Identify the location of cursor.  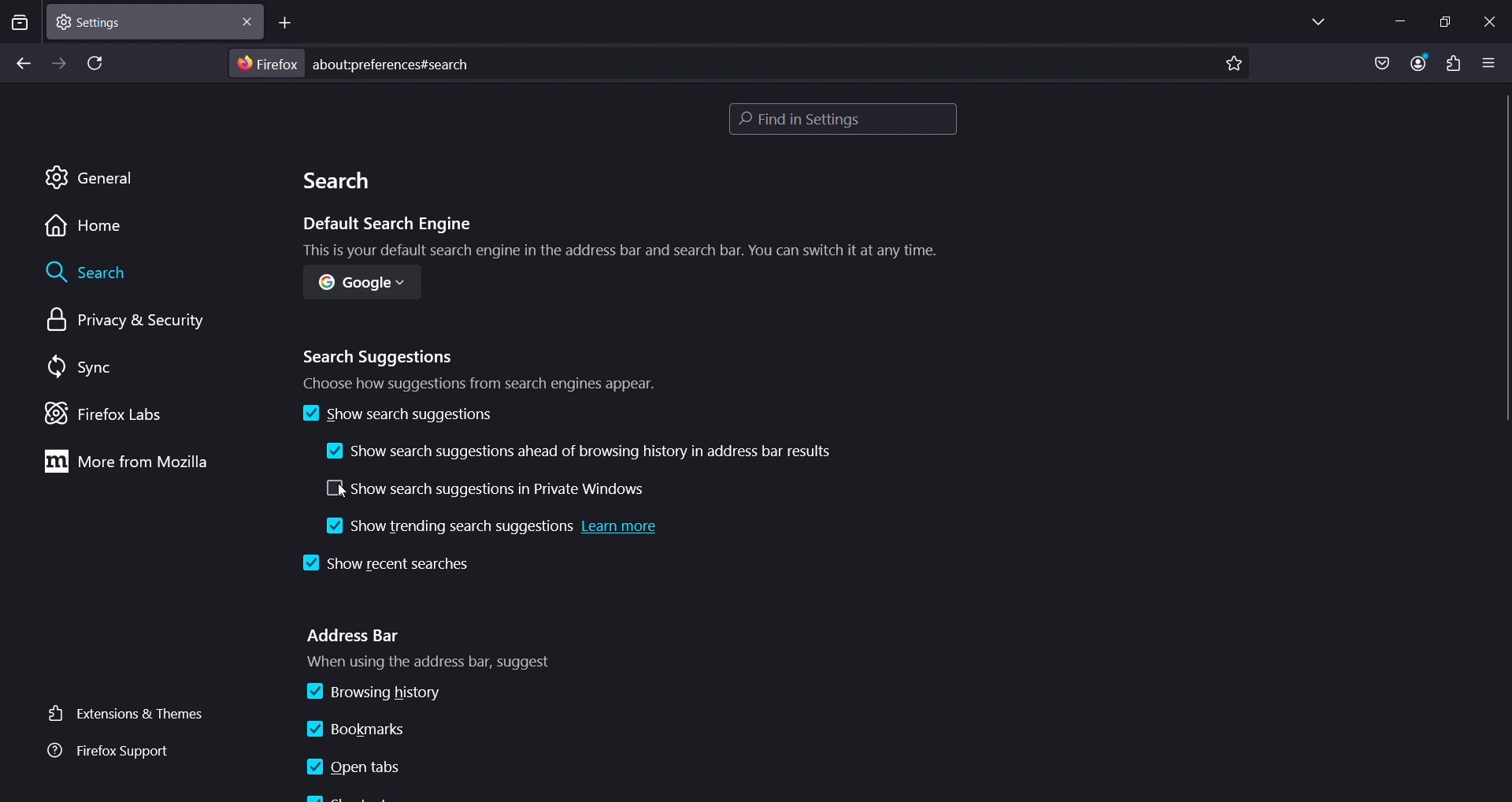
(343, 489).